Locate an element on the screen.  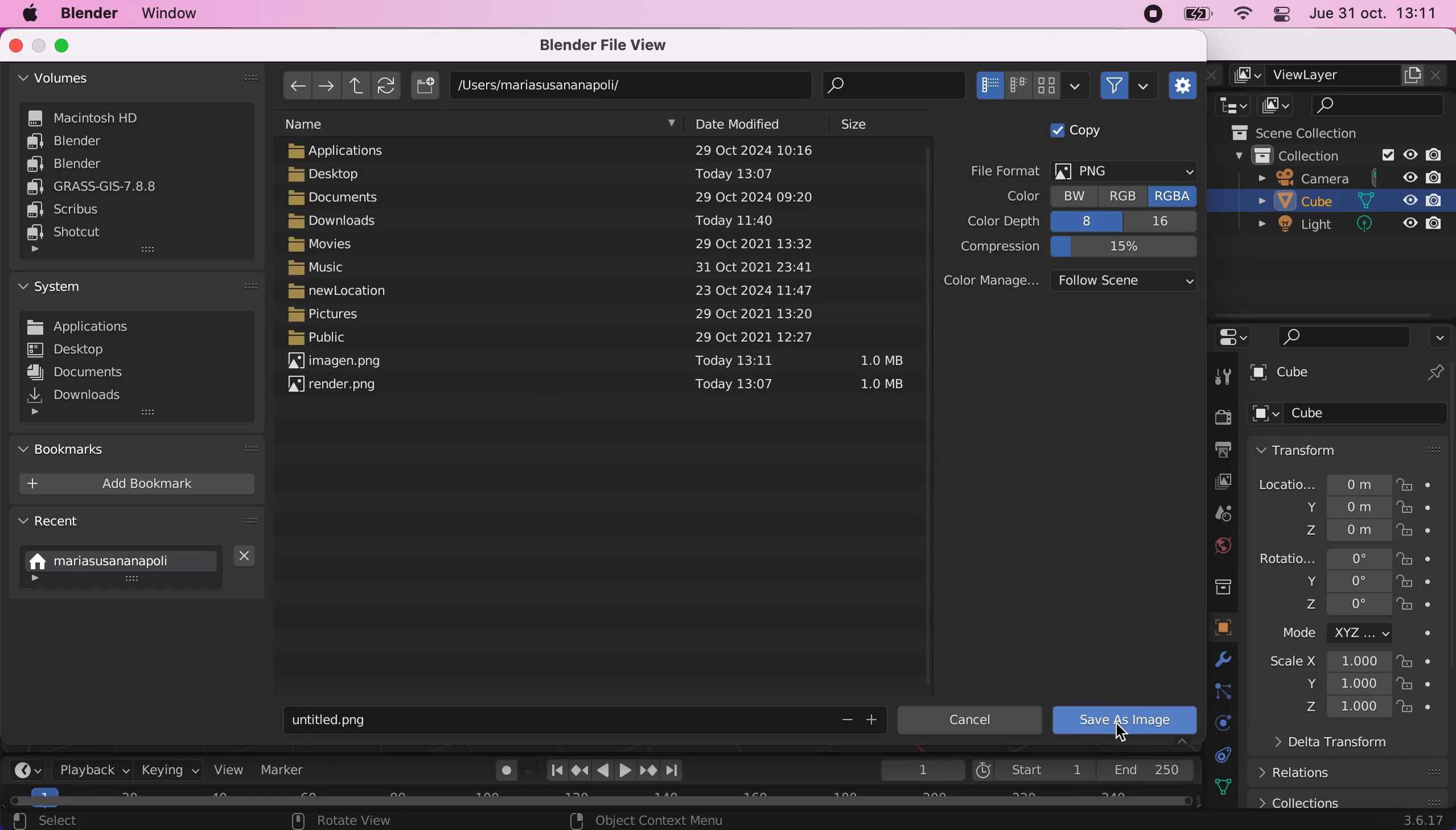
search is located at coordinates (895, 87).